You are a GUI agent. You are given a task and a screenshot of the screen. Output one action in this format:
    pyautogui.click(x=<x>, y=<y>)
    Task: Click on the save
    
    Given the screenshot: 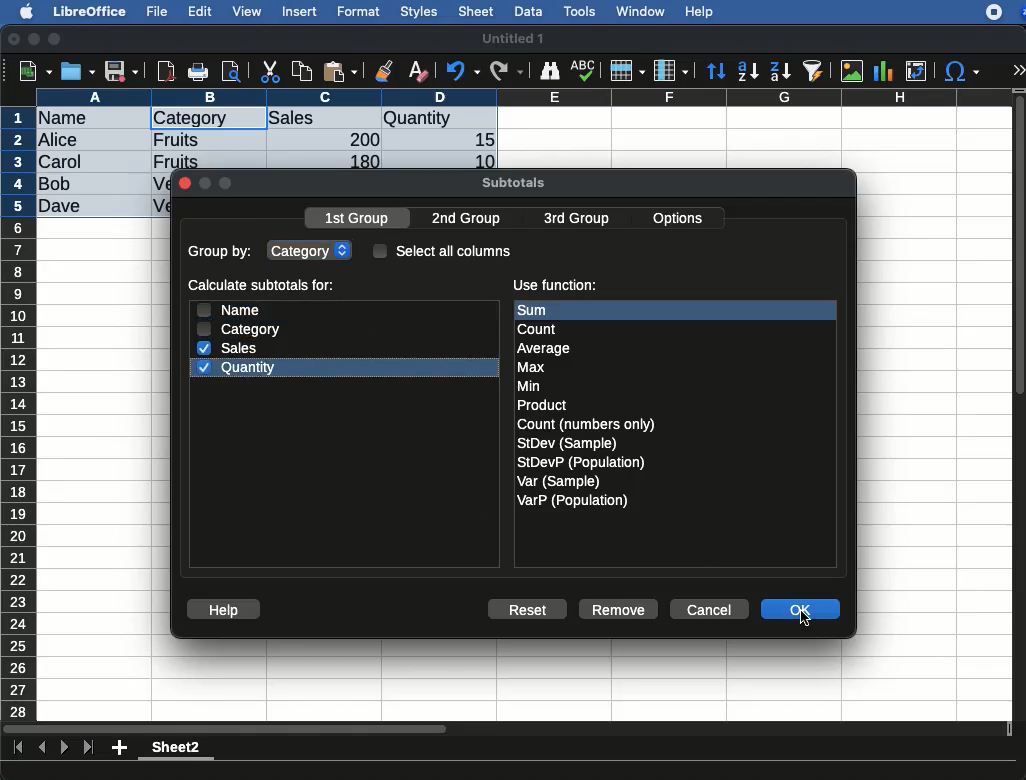 What is the action you would take?
    pyautogui.click(x=79, y=71)
    